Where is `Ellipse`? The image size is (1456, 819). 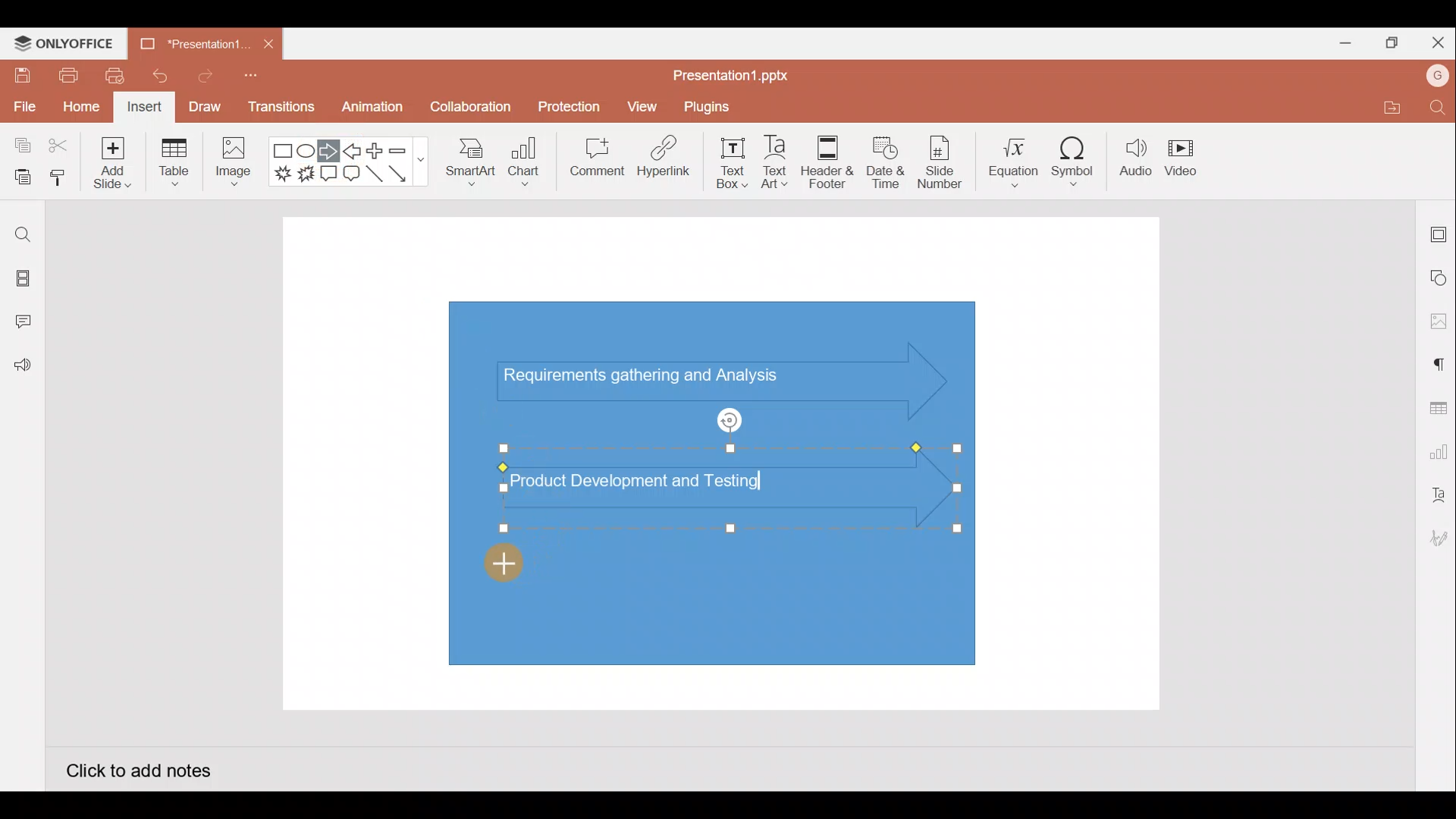 Ellipse is located at coordinates (308, 151).